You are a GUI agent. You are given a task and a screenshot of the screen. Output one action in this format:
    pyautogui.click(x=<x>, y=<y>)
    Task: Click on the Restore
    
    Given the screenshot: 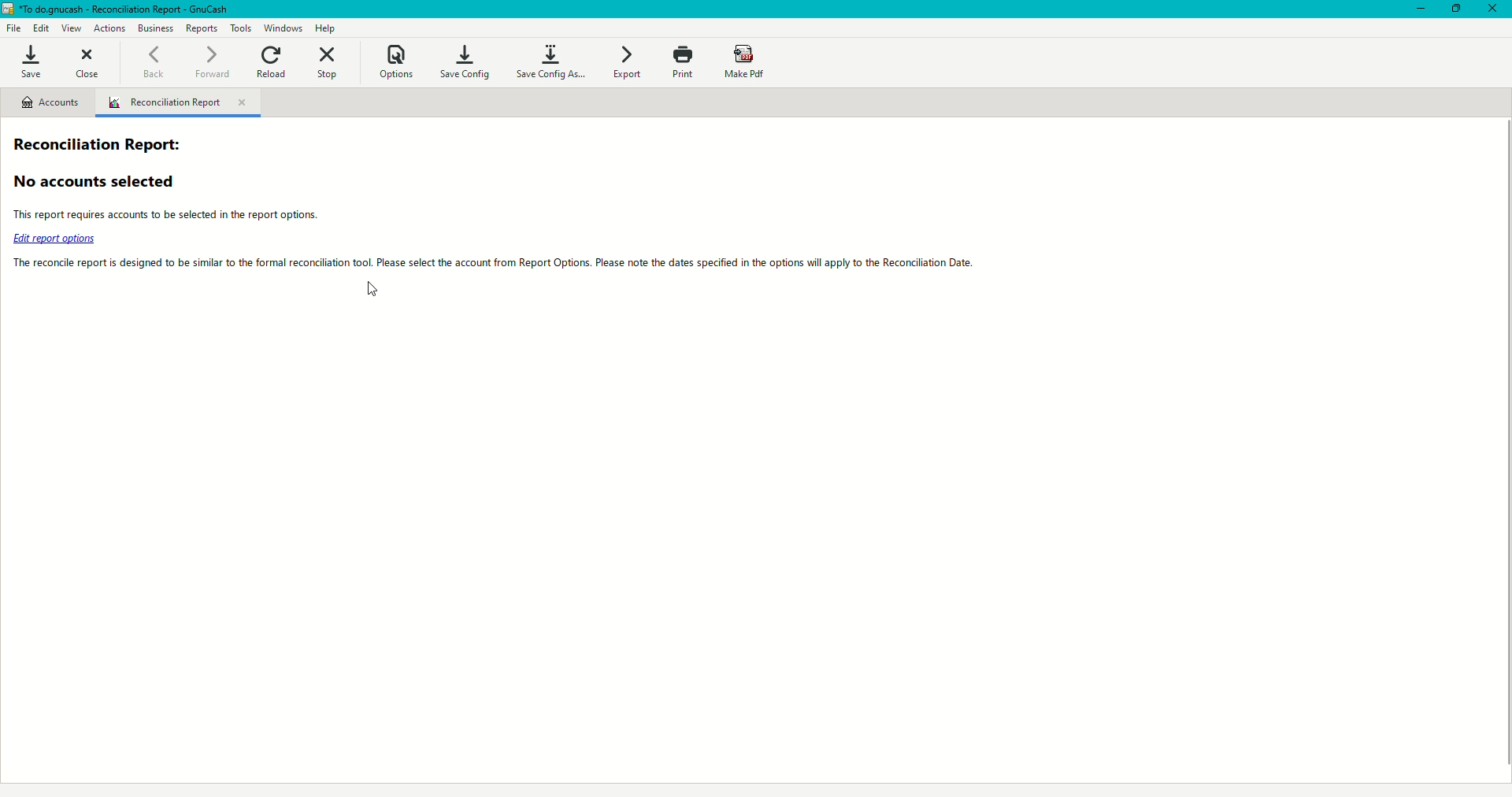 What is the action you would take?
    pyautogui.click(x=1452, y=11)
    